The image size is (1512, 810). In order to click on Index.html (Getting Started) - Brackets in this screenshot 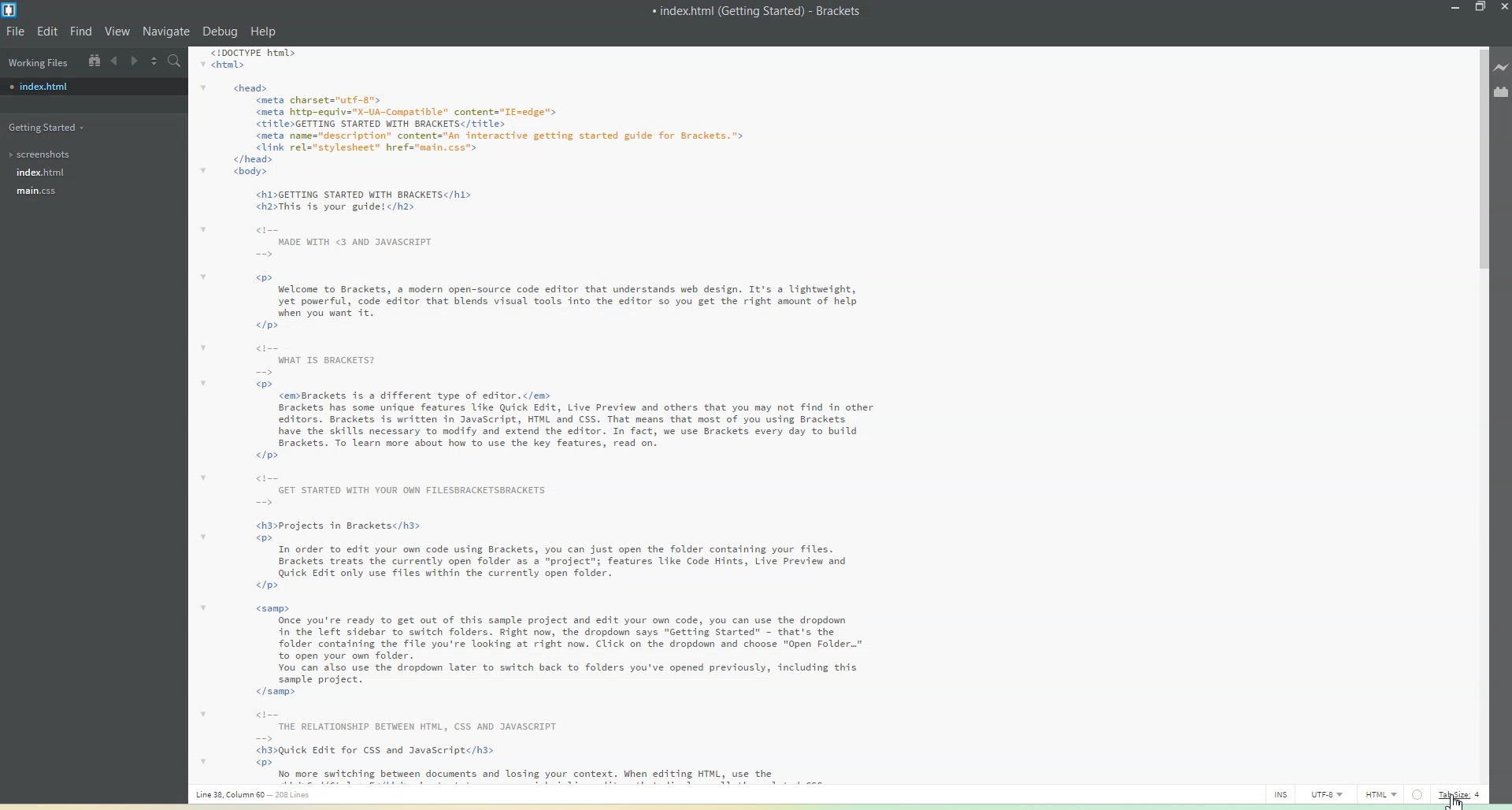, I will do `click(758, 10)`.